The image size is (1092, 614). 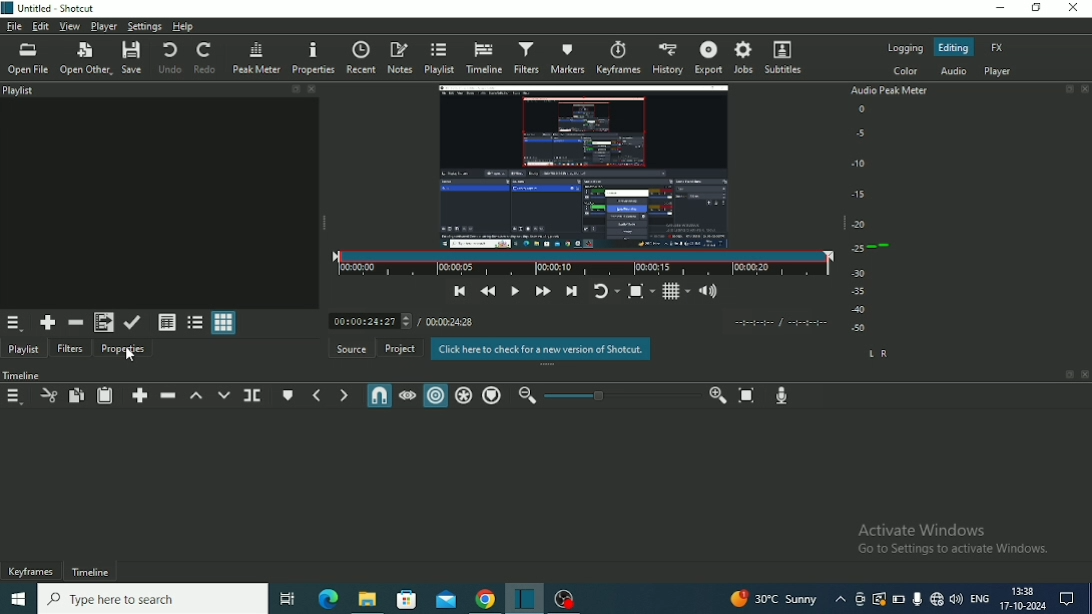 What do you see at coordinates (753, 323) in the screenshot?
I see `In Point` at bounding box center [753, 323].